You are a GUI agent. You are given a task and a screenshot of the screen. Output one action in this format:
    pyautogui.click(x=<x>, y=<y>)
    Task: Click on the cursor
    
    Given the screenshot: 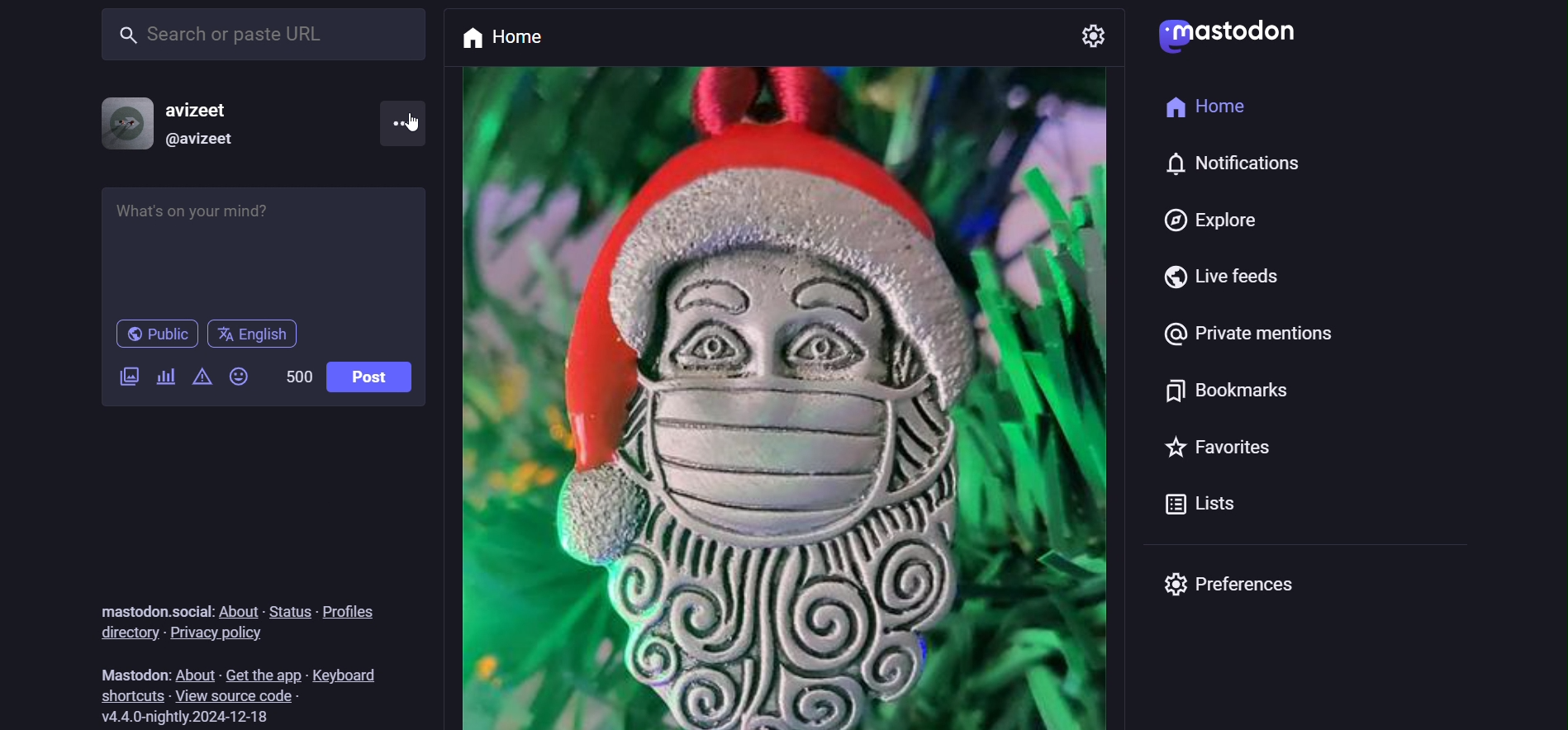 What is the action you would take?
    pyautogui.click(x=419, y=126)
    